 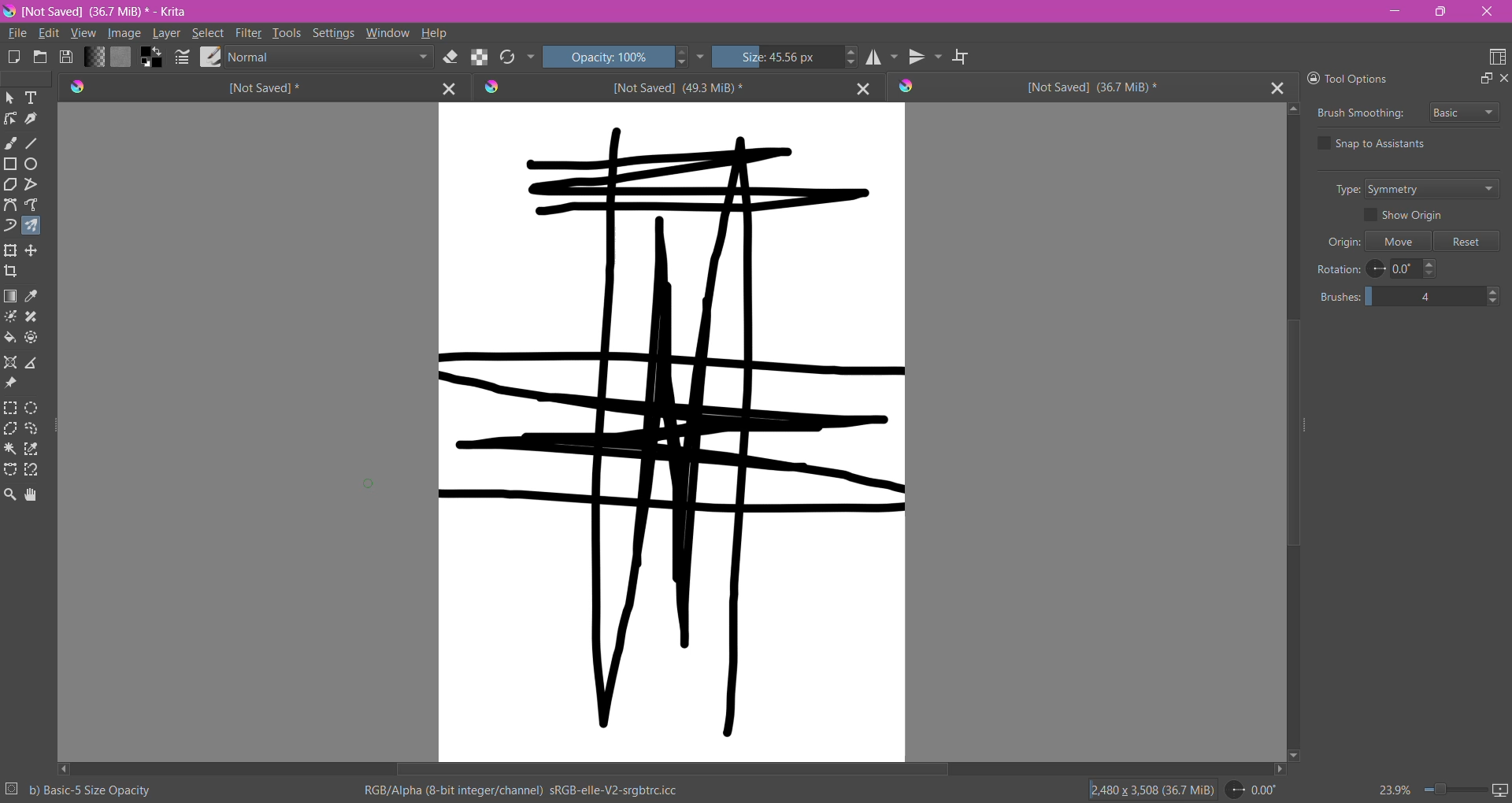 I want to click on Edit Shapes Tool, so click(x=11, y=119).